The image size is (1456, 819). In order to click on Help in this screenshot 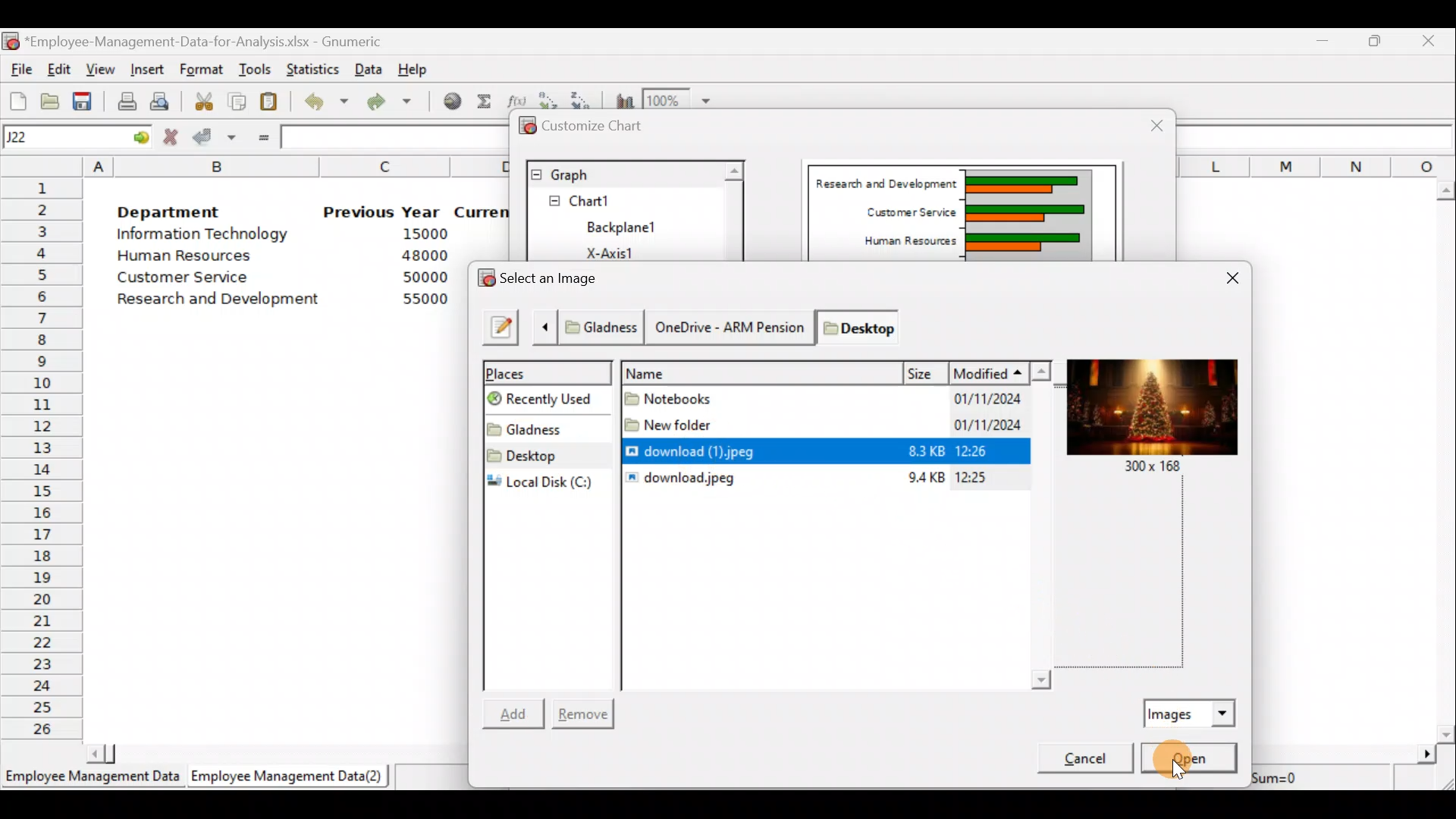, I will do `click(413, 66)`.